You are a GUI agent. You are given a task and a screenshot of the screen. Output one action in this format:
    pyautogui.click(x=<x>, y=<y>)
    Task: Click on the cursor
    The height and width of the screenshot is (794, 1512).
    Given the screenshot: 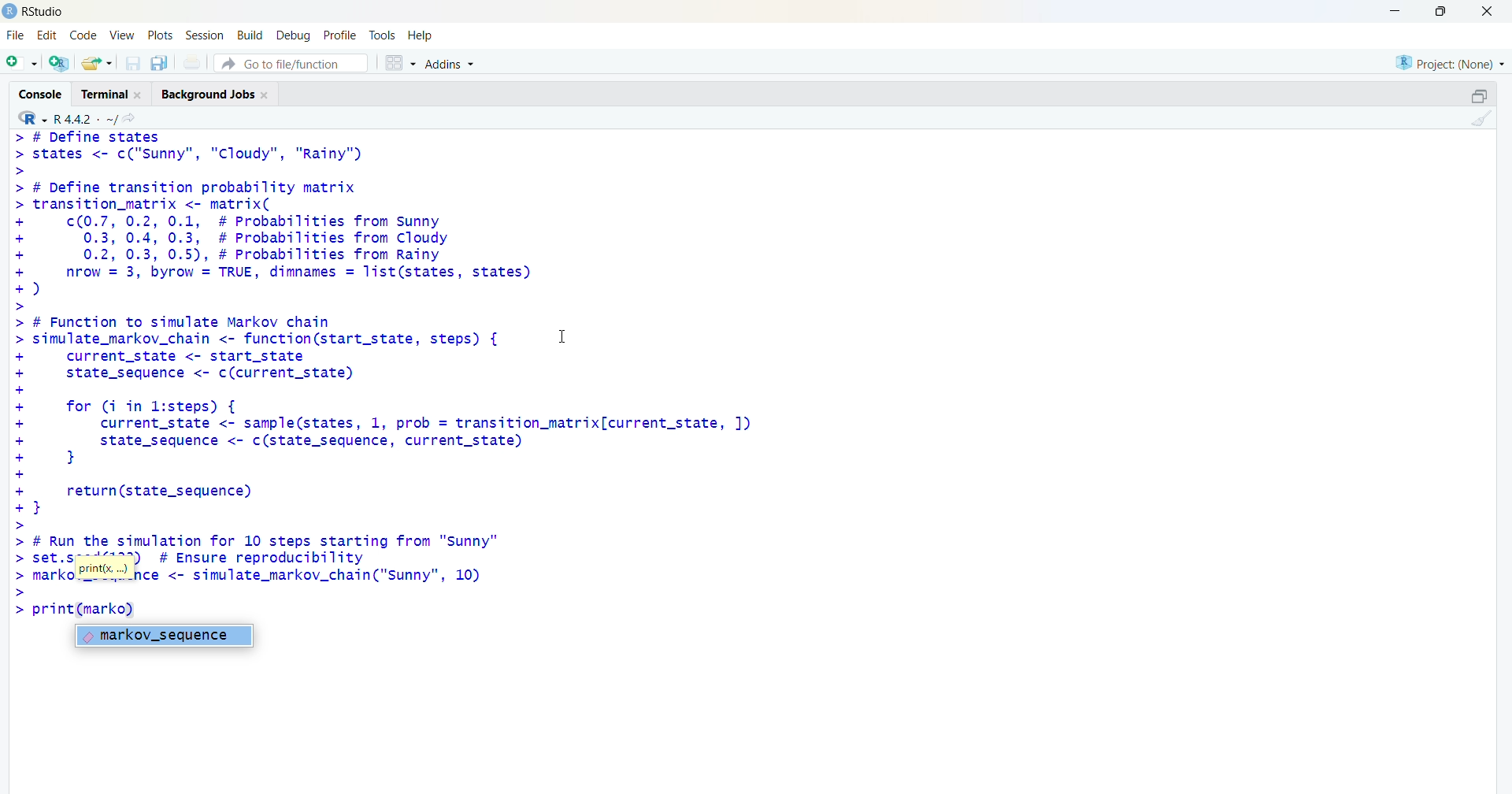 What is the action you would take?
    pyautogui.click(x=569, y=341)
    